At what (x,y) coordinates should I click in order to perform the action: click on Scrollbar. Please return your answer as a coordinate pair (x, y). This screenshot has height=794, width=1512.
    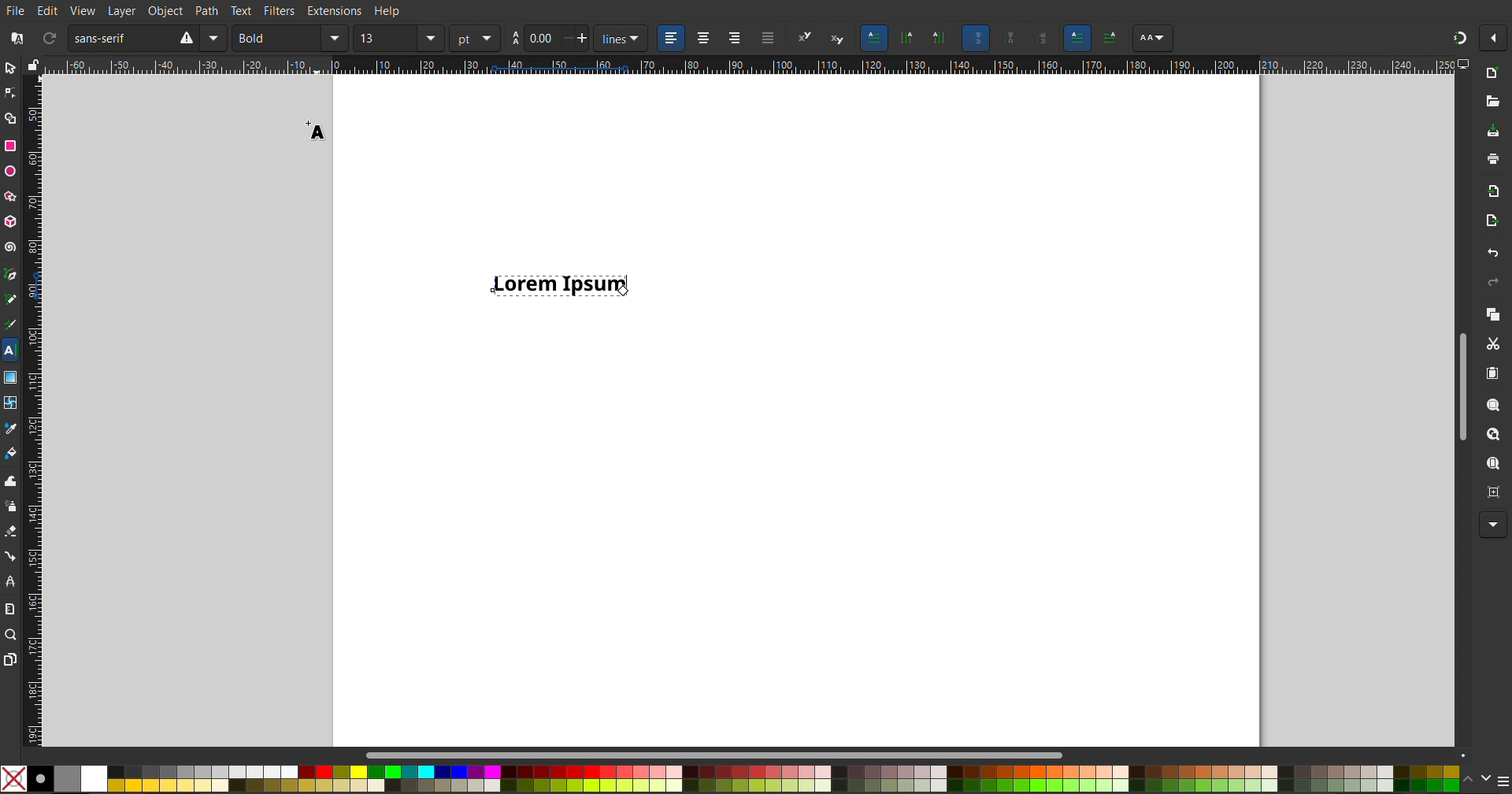
    Looking at the image, I should click on (724, 755).